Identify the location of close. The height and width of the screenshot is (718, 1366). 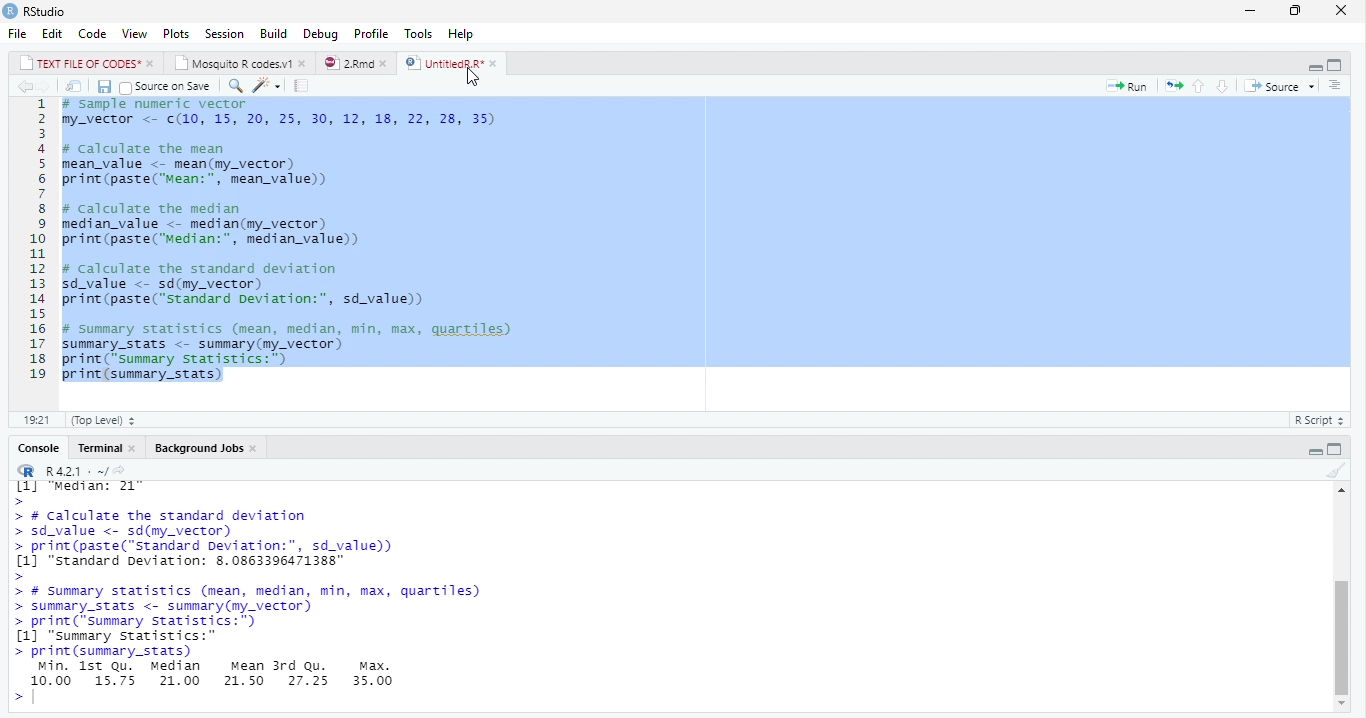
(496, 64).